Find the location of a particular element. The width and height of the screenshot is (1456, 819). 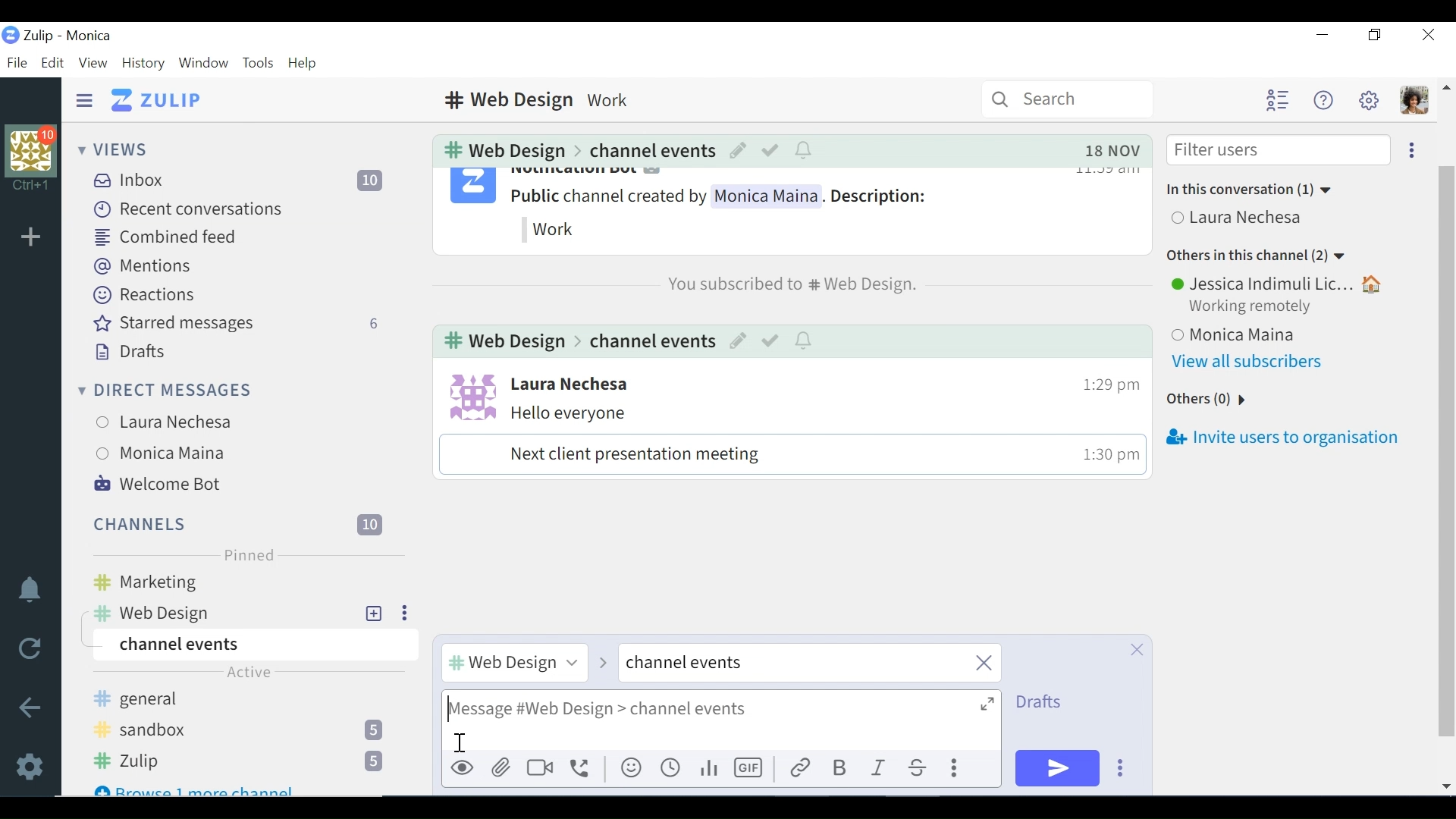

#channel is located at coordinates (512, 661).